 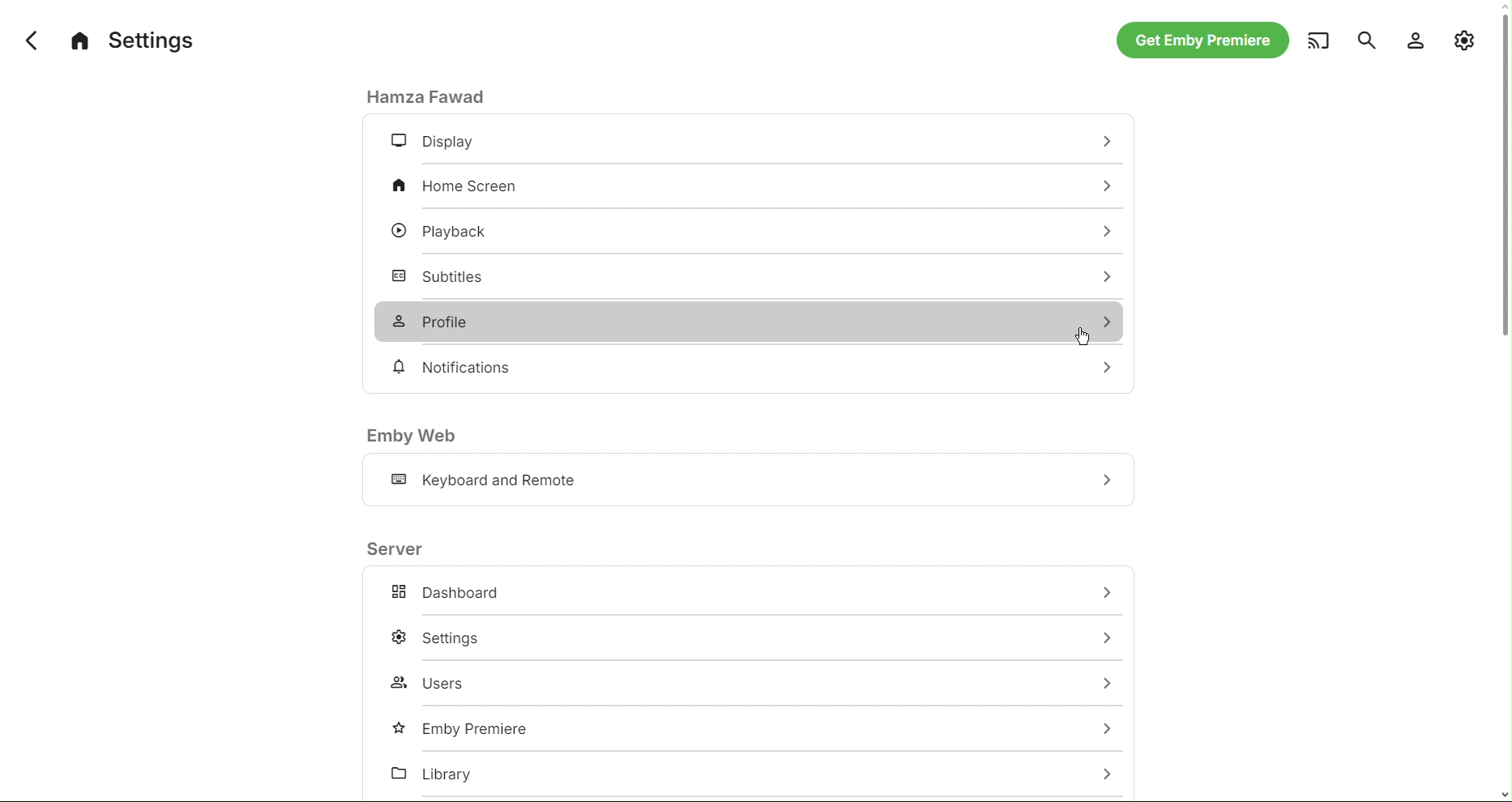 What do you see at coordinates (440, 774) in the screenshot?
I see `Library` at bounding box center [440, 774].